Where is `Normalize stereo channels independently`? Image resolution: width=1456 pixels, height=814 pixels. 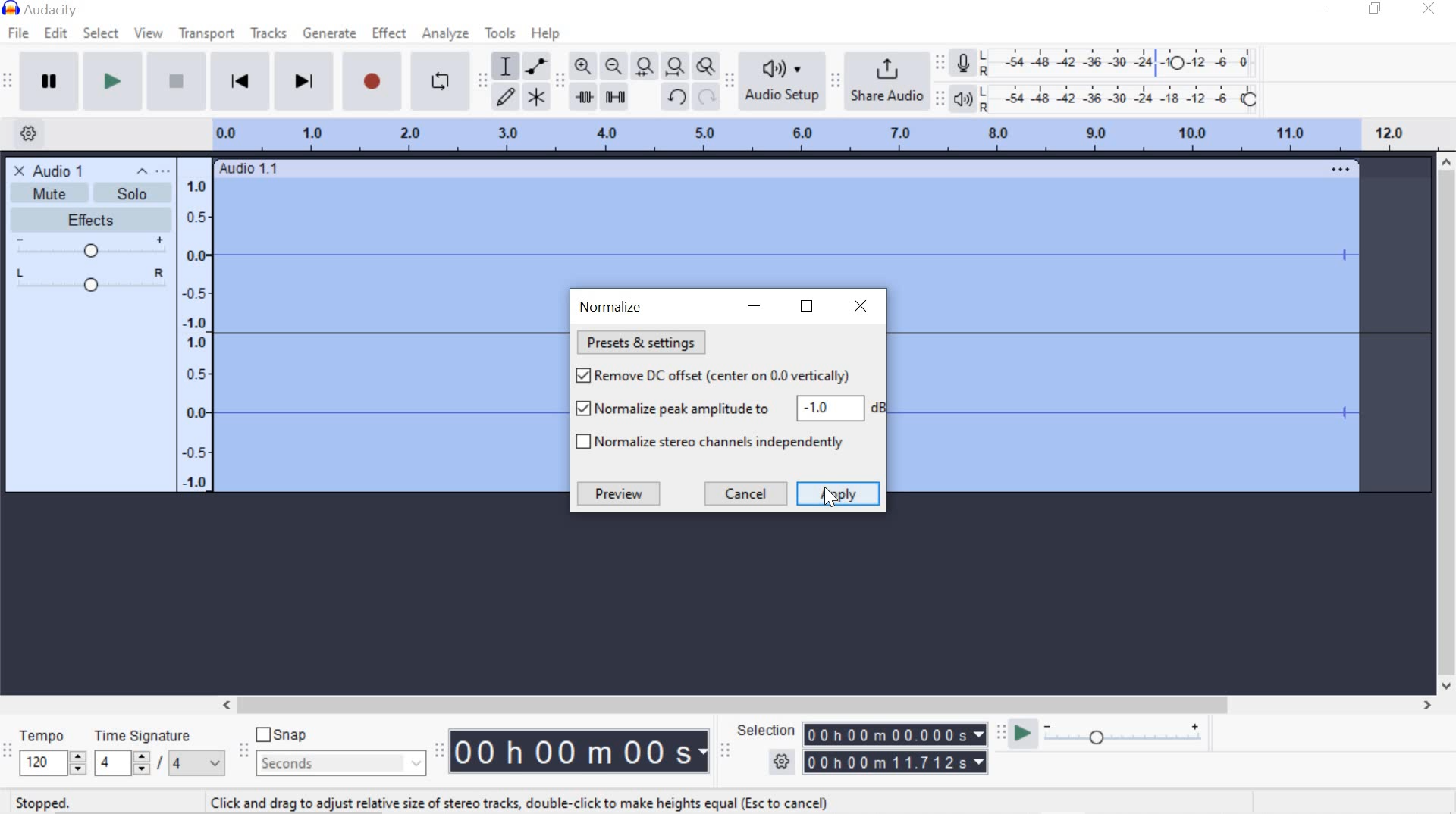 Normalize stereo channels independently is located at coordinates (714, 443).